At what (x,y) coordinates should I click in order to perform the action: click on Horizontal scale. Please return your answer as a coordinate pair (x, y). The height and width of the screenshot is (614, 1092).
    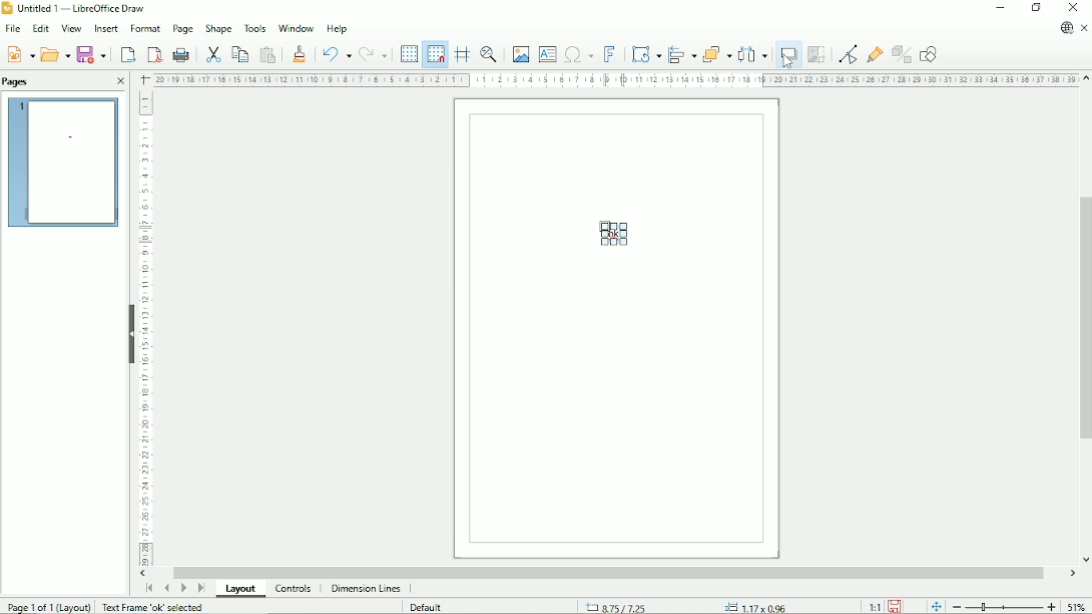
    Looking at the image, I should click on (616, 80).